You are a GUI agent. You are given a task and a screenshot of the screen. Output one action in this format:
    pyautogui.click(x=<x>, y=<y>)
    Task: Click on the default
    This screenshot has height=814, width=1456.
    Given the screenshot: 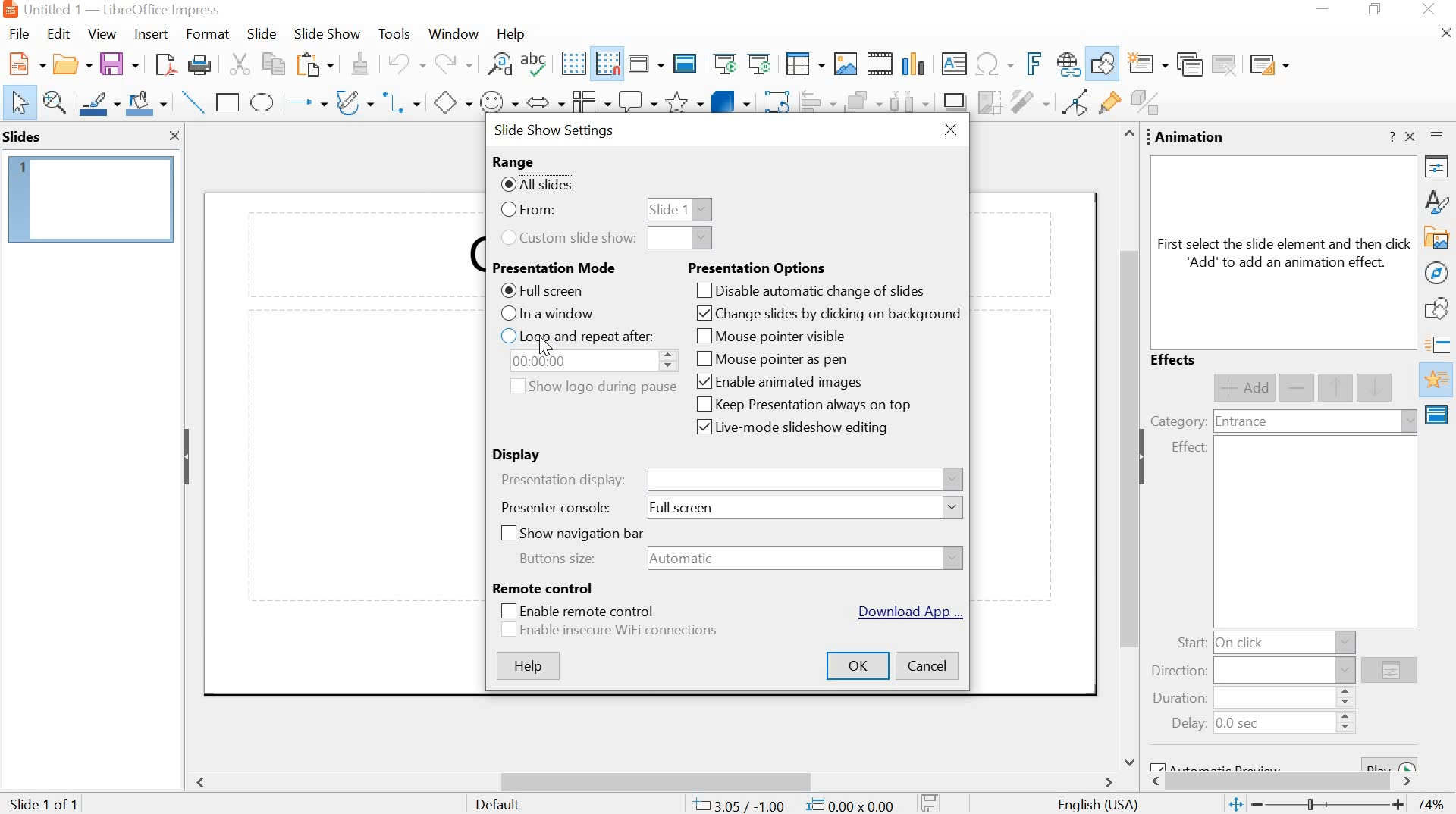 What is the action you would take?
    pyautogui.click(x=499, y=804)
    